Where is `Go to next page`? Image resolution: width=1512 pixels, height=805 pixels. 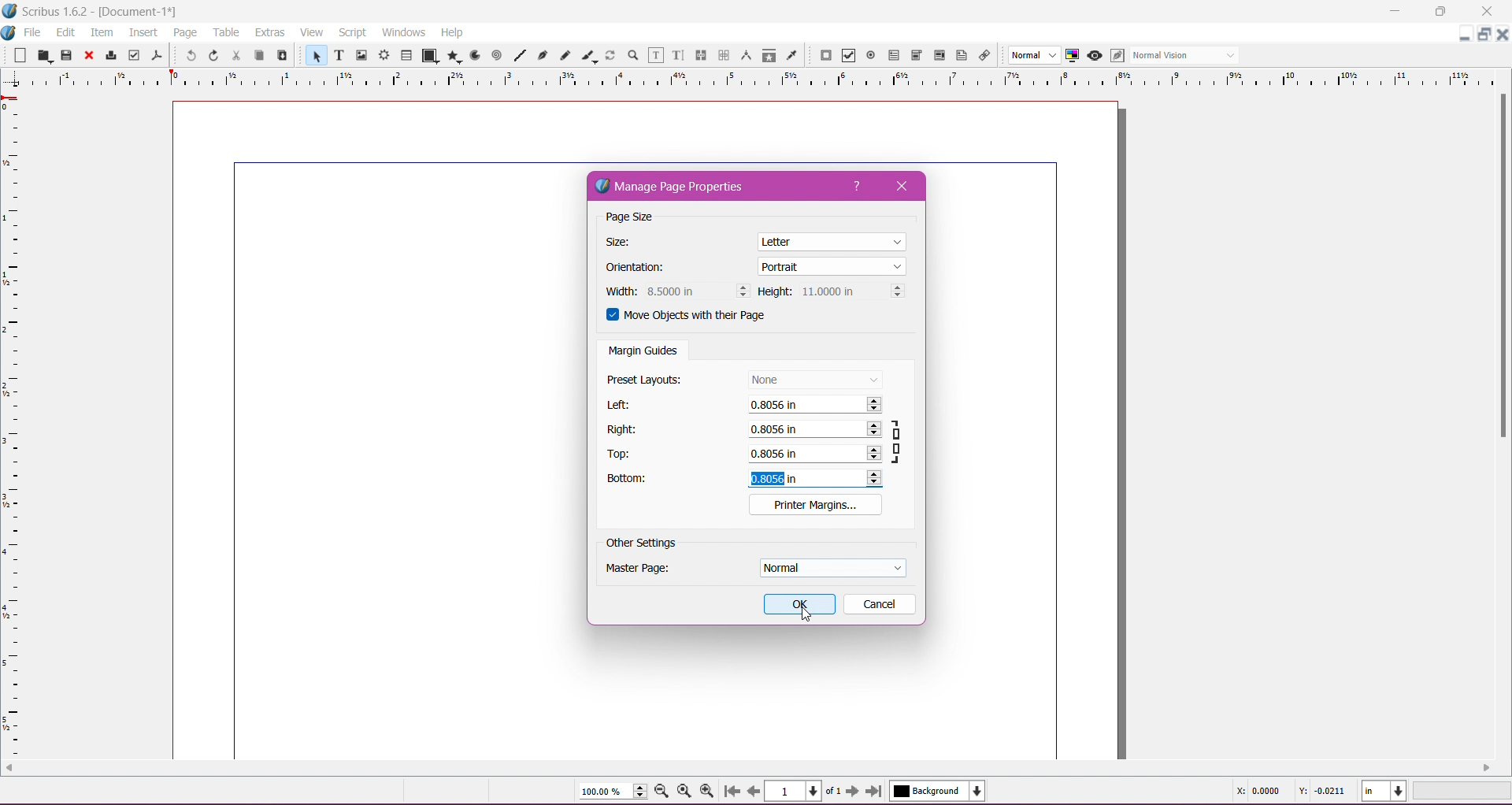 Go to next page is located at coordinates (852, 792).